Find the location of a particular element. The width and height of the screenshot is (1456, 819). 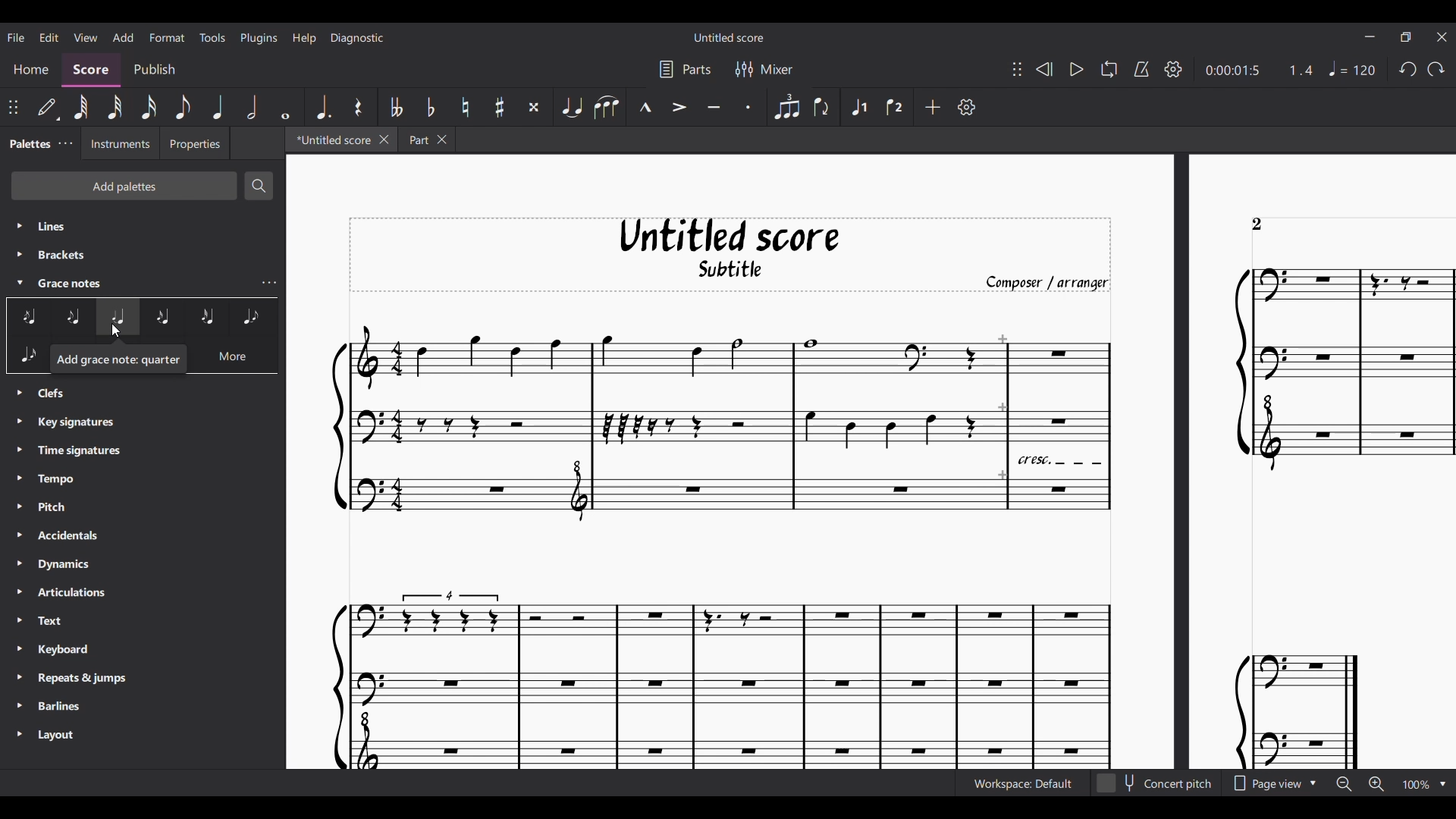

Zoom options  is located at coordinates (1443, 784).